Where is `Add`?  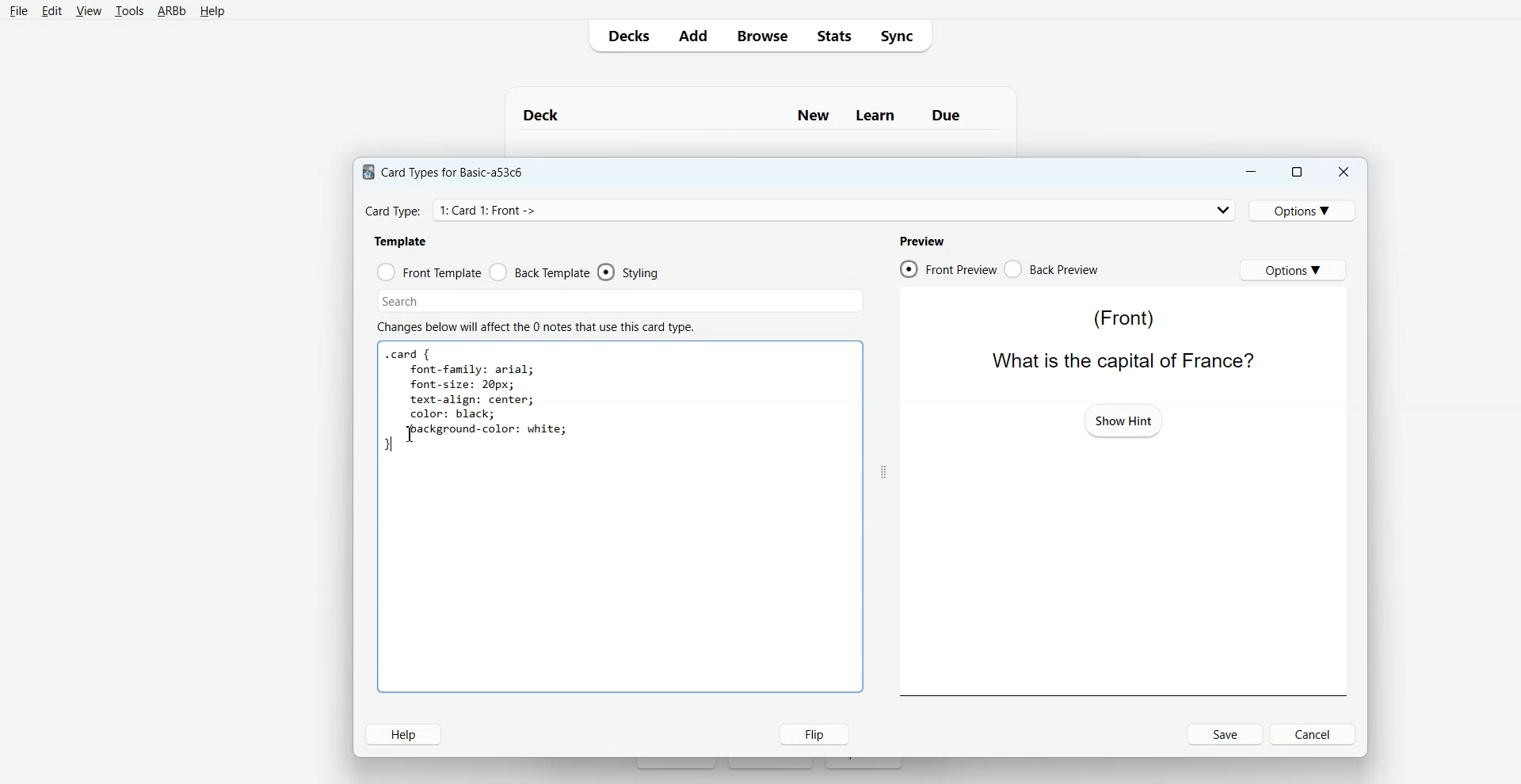
Add is located at coordinates (692, 36).